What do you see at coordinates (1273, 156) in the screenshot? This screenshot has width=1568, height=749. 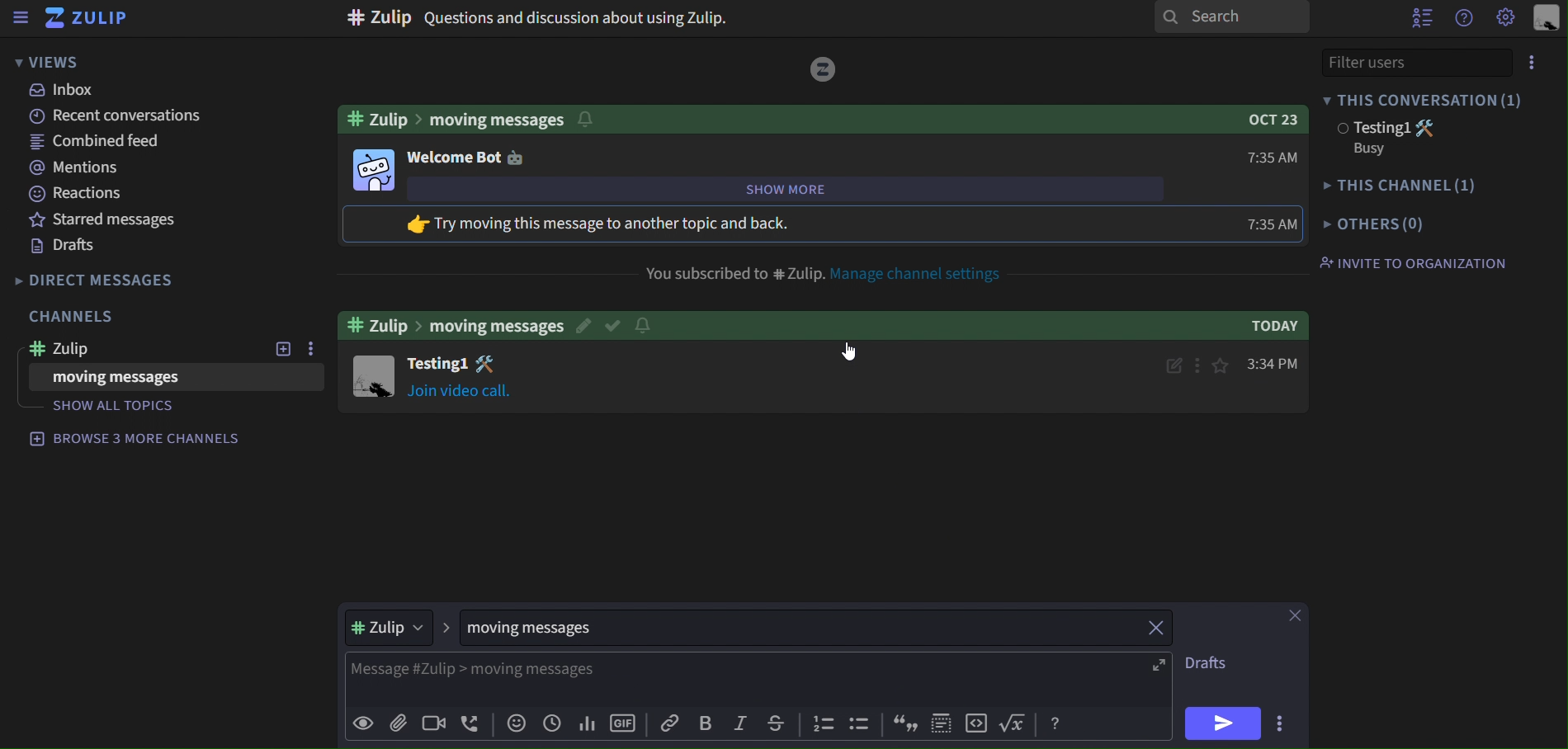 I see `7:35 AM` at bounding box center [1273, 156].